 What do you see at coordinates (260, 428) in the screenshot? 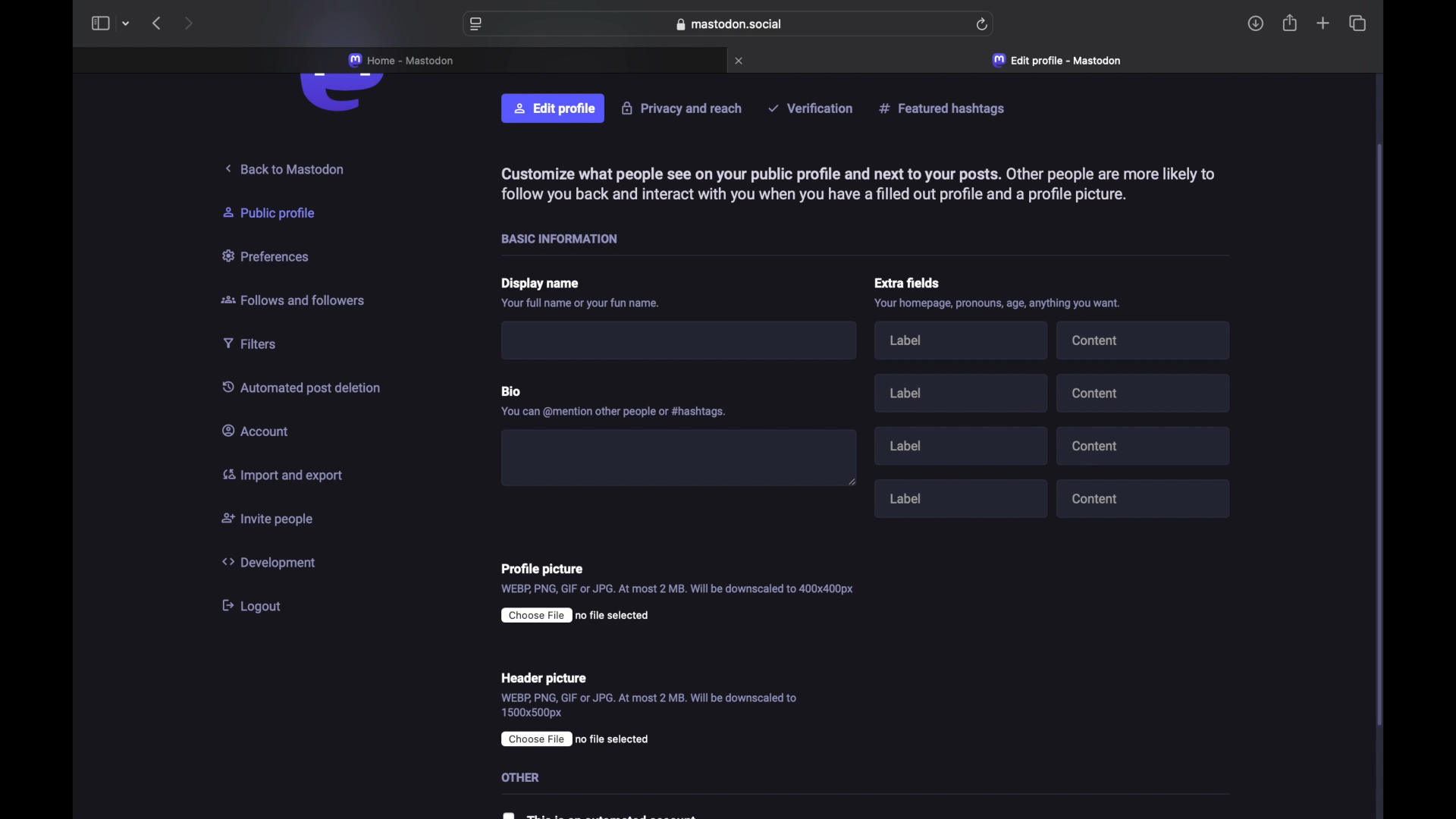
I see `account` at bounding box center [260, 428].